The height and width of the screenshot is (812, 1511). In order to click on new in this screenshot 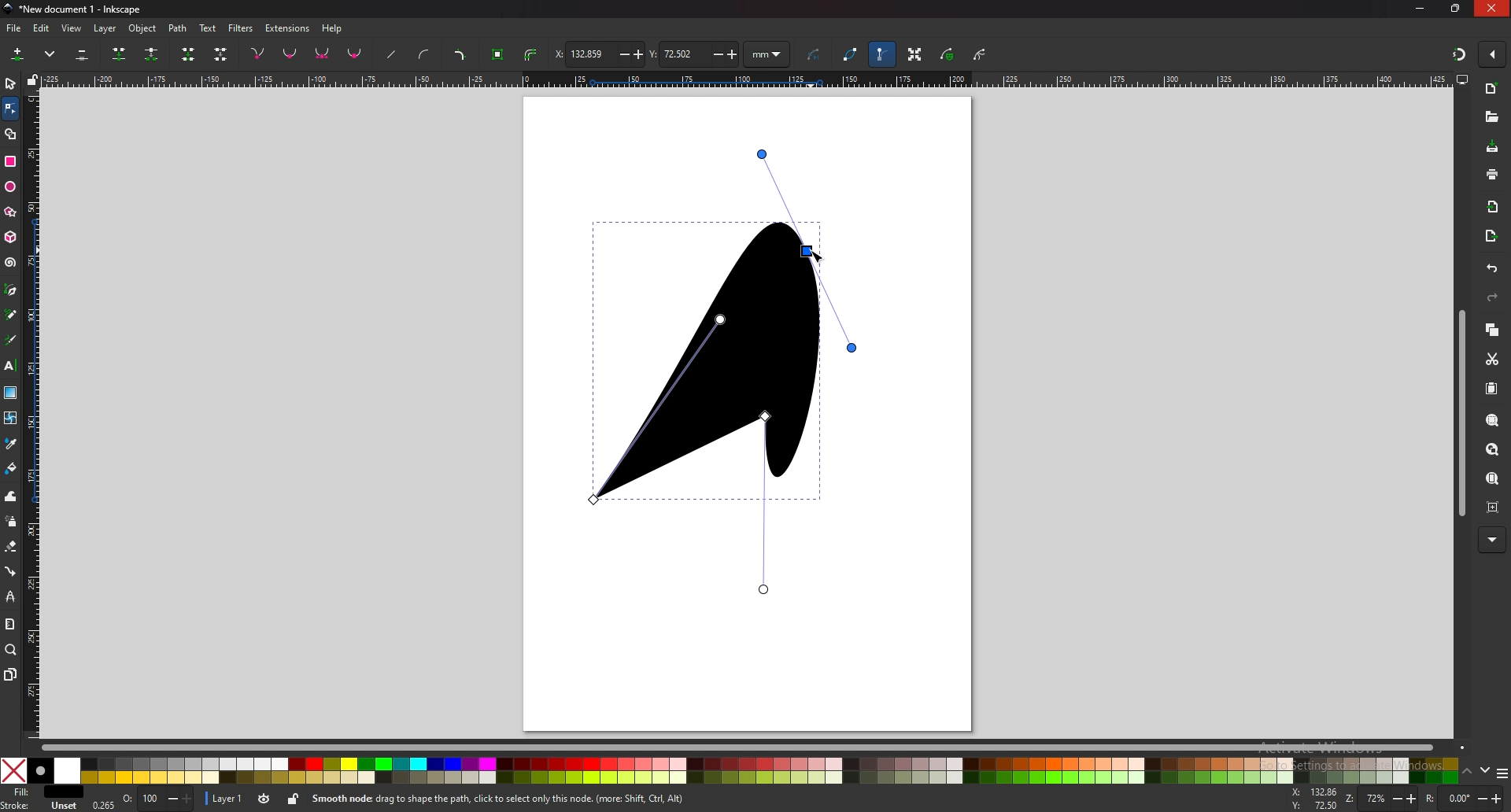, I will do `click(1491, 88)`.